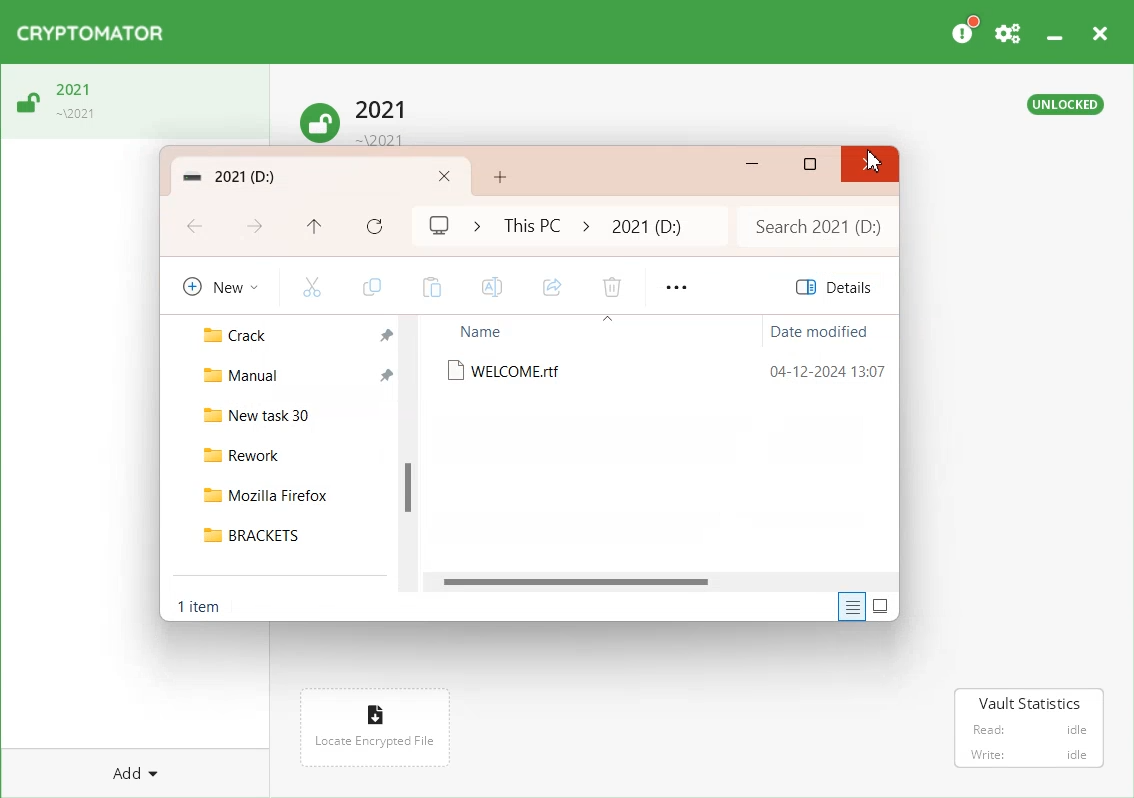 The height and width of the screenshot is (798, 1134). I want to click on Preferences, so click(1009, 30).